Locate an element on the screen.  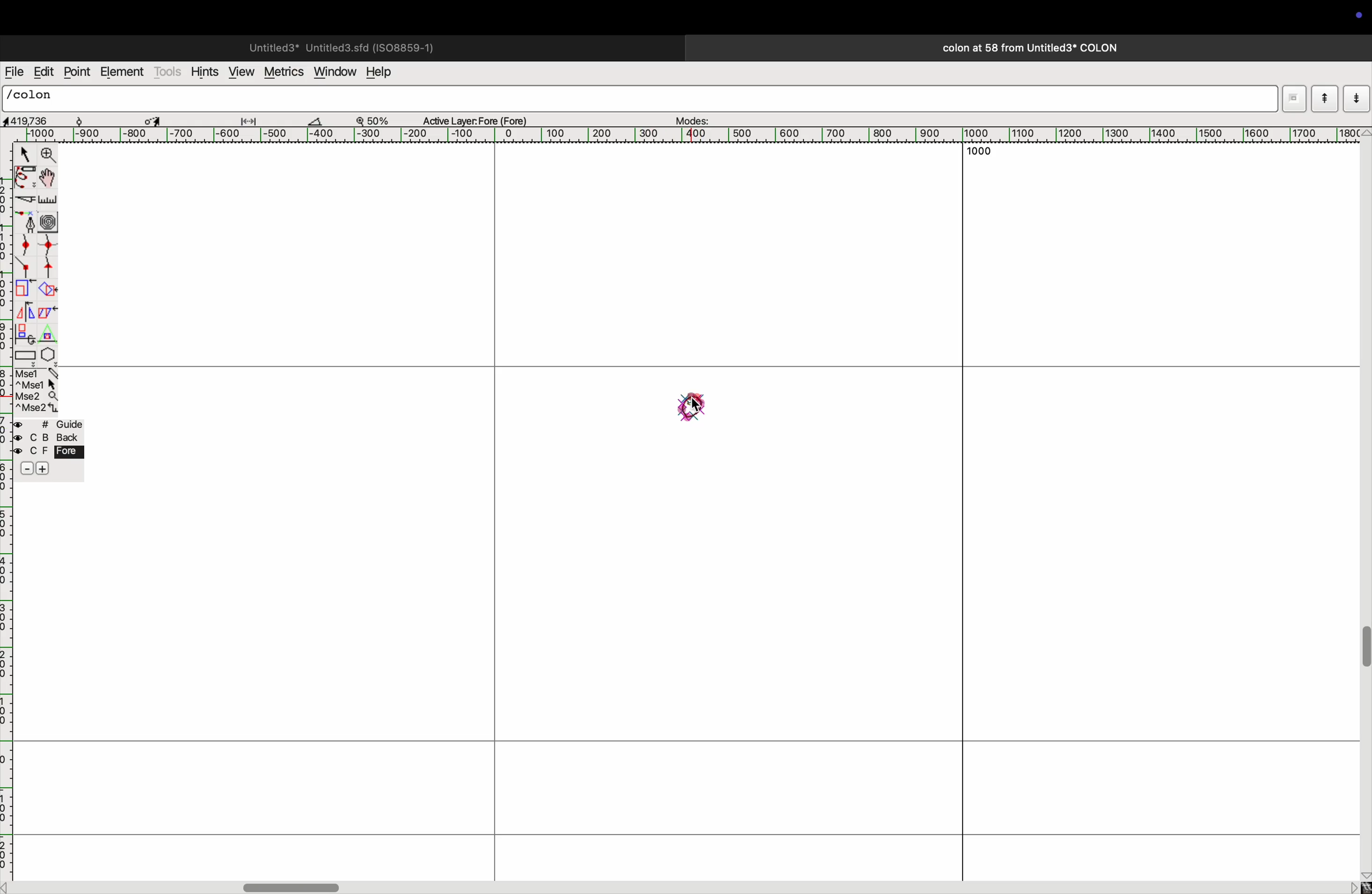
mode up is located at coordinates (1324, 99).